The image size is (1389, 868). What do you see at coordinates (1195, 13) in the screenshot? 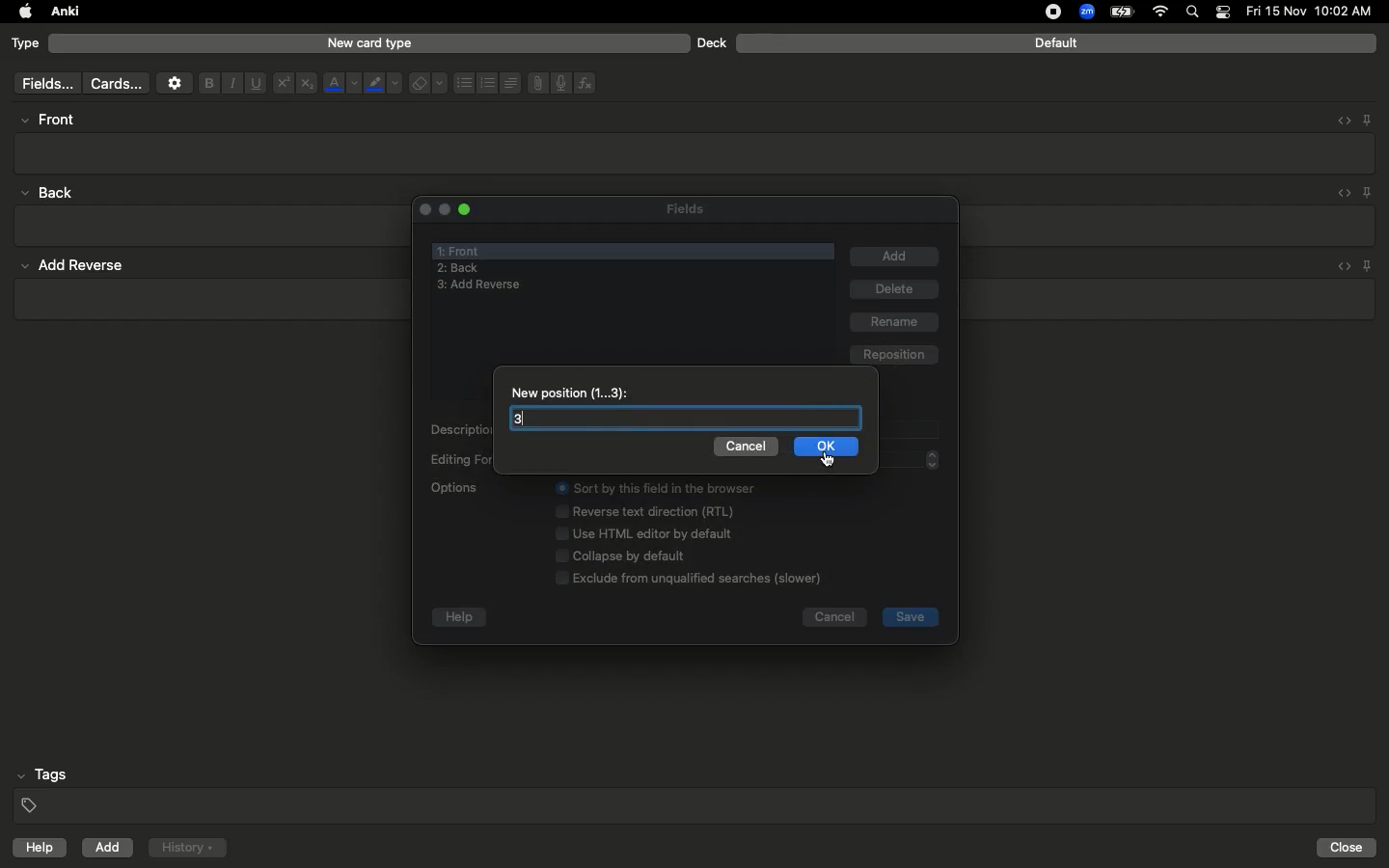
I see `Search` at bounding box center [1195, 13].